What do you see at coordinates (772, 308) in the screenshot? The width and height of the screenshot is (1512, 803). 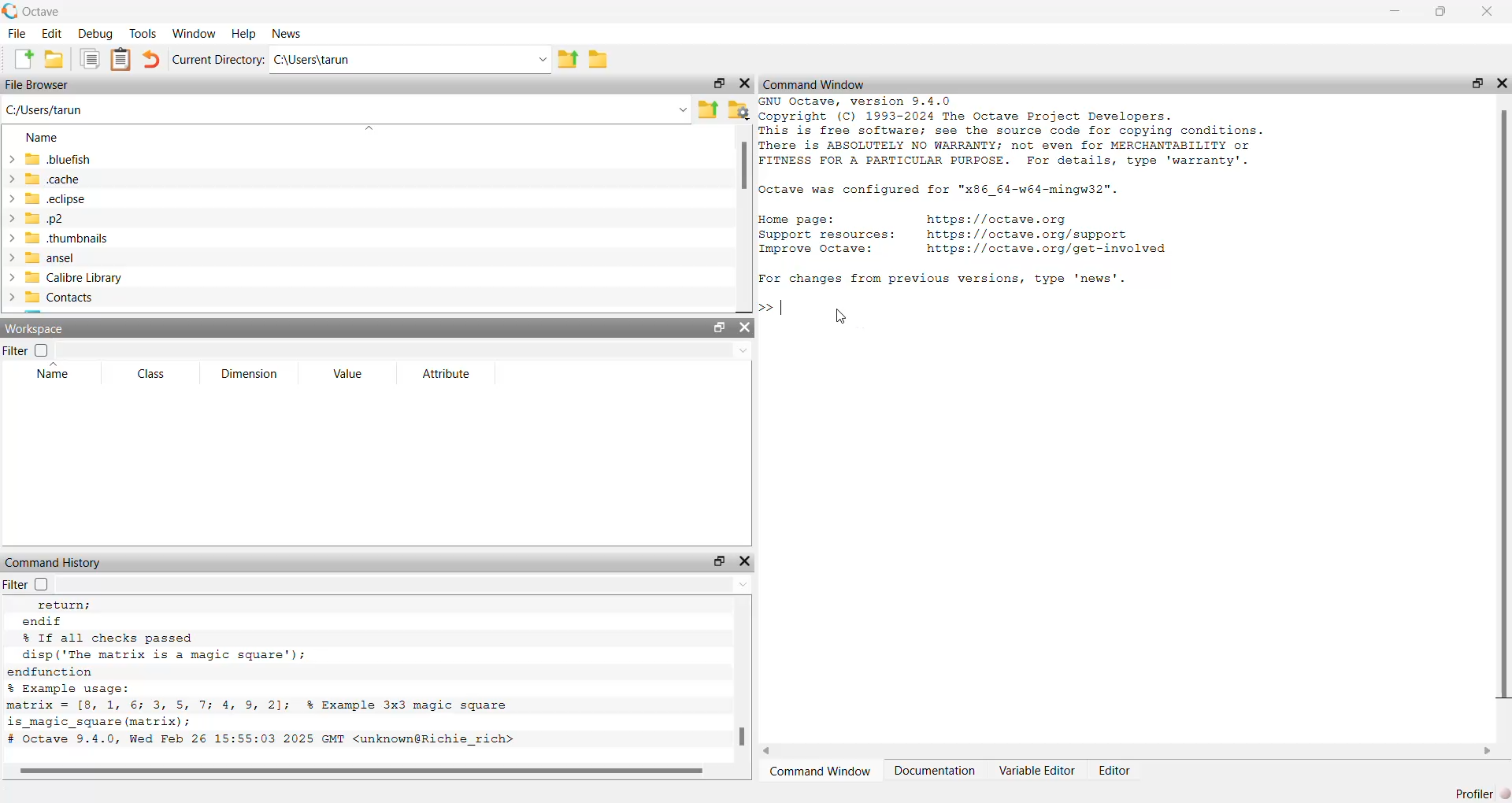 I see `typing cursor` at bounding box center [772, 308].